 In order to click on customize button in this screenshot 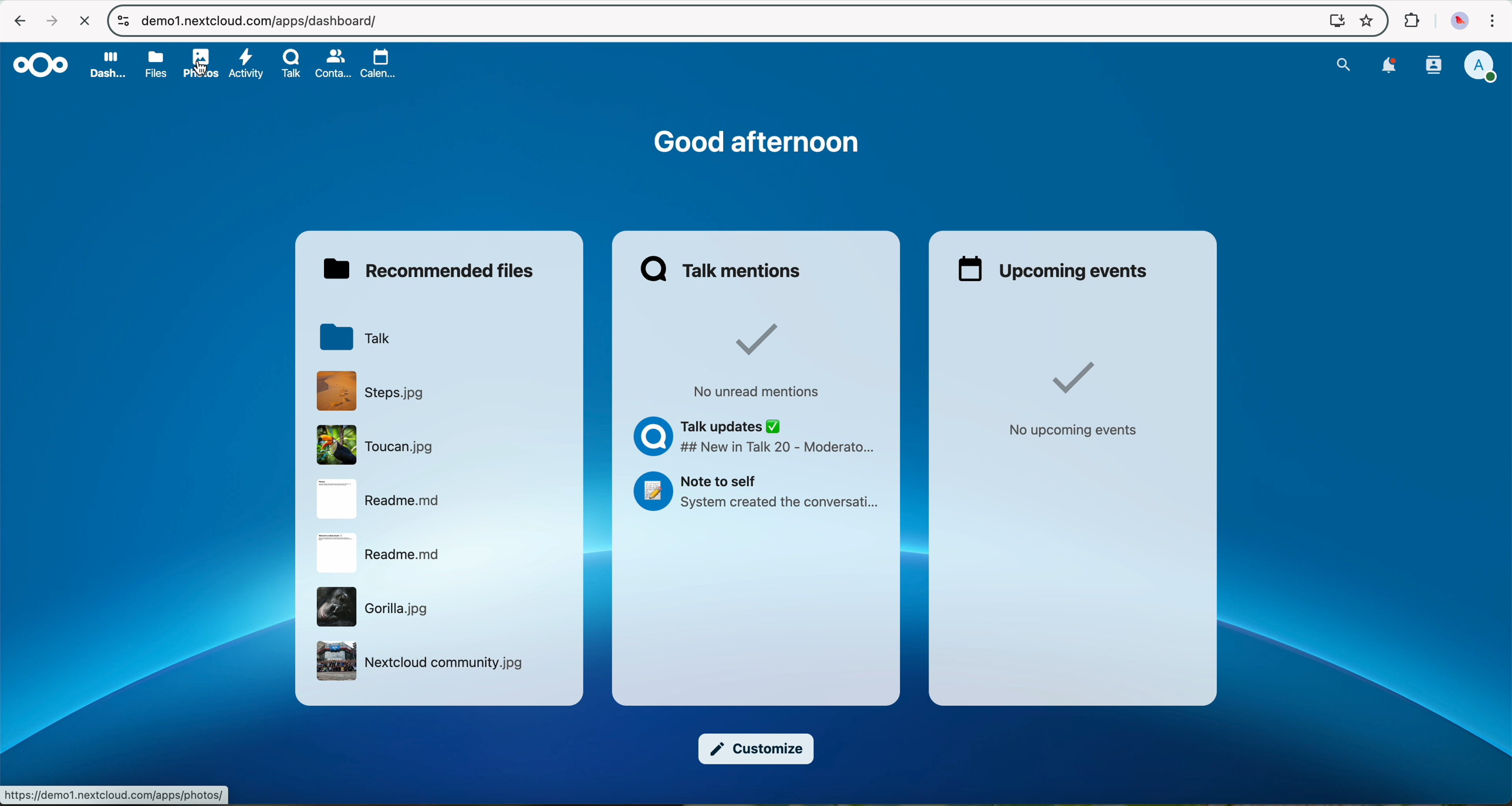, I will do `click(759, 749)`.